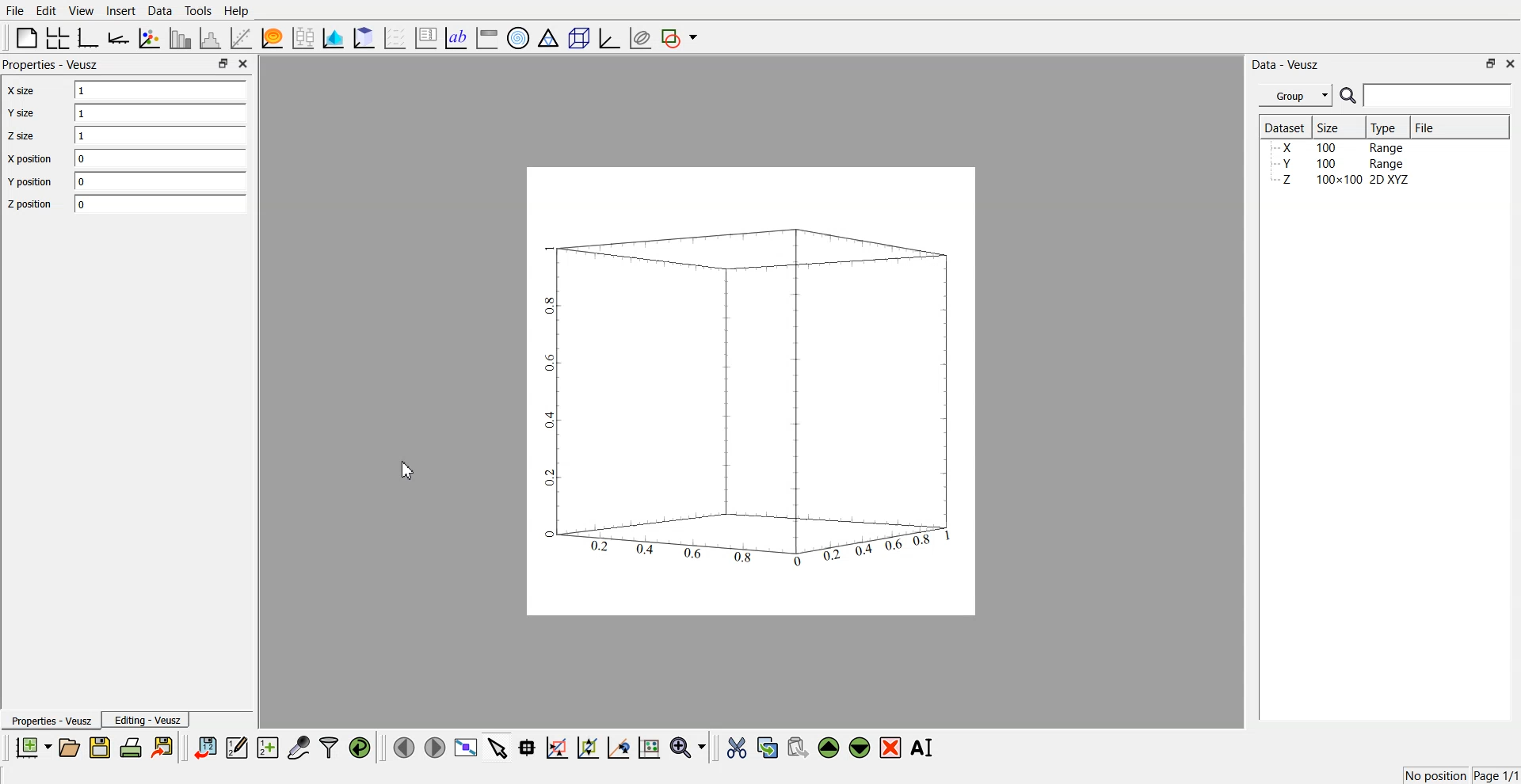  Describe the element at coordinates (487, 37) in the screenshot. I see `Image color bar` at that location.